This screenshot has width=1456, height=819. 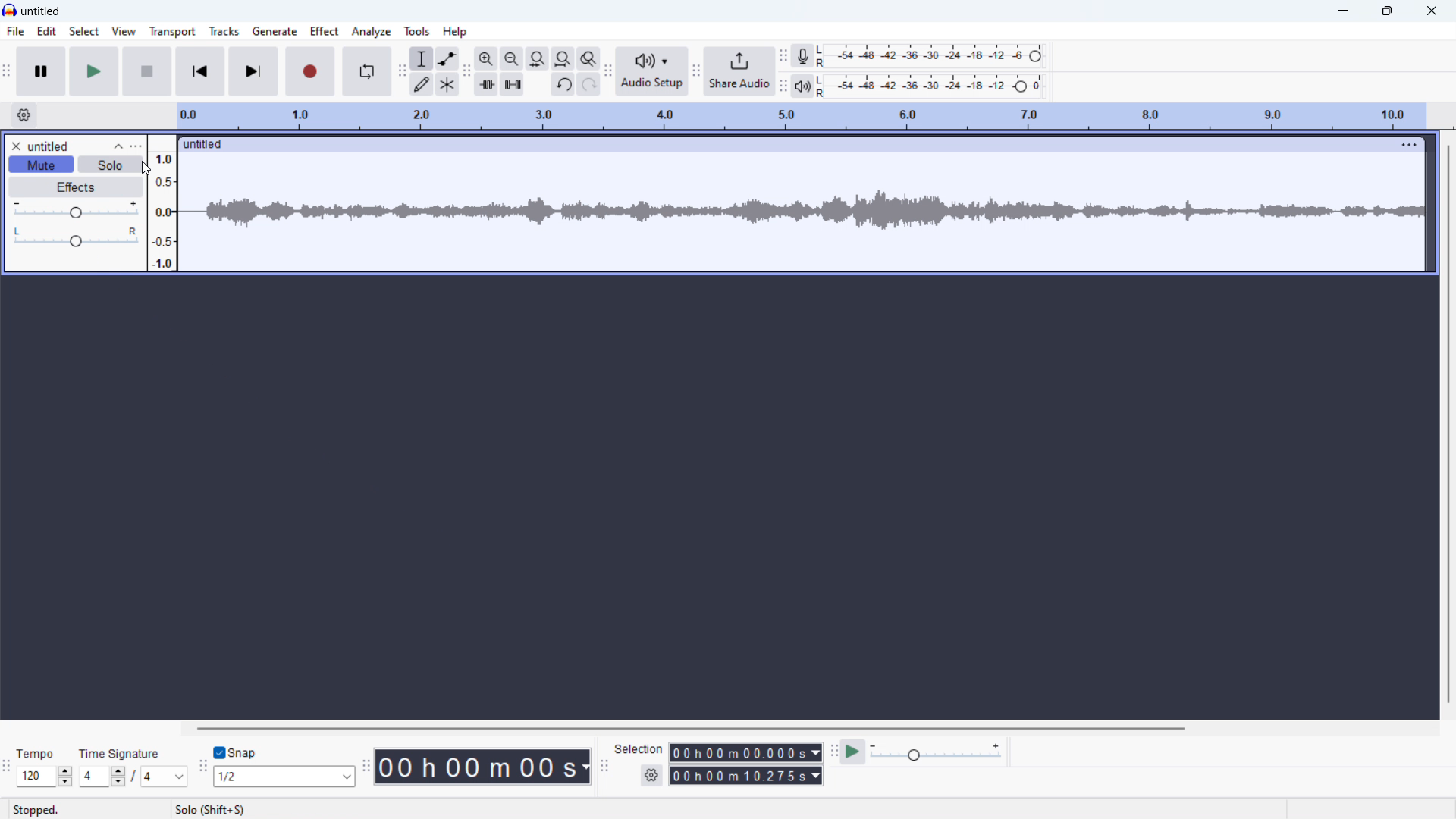 I want to click on pan, so click(x=77, y=236).